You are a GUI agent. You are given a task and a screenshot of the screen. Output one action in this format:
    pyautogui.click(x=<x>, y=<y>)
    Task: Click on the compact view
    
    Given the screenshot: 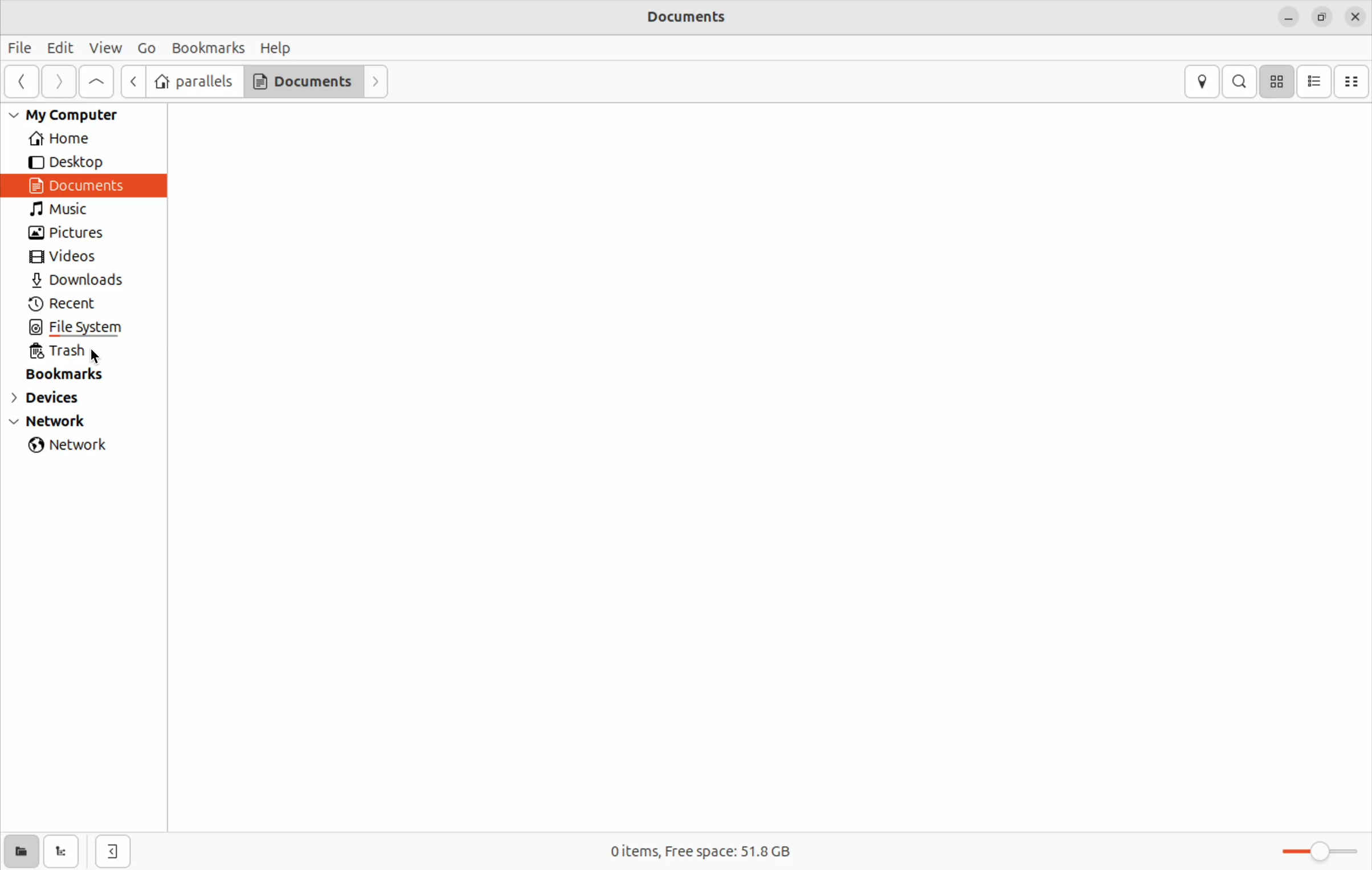 What is the action you would take?
    pyautogui.click(x=1353, y=81)
    